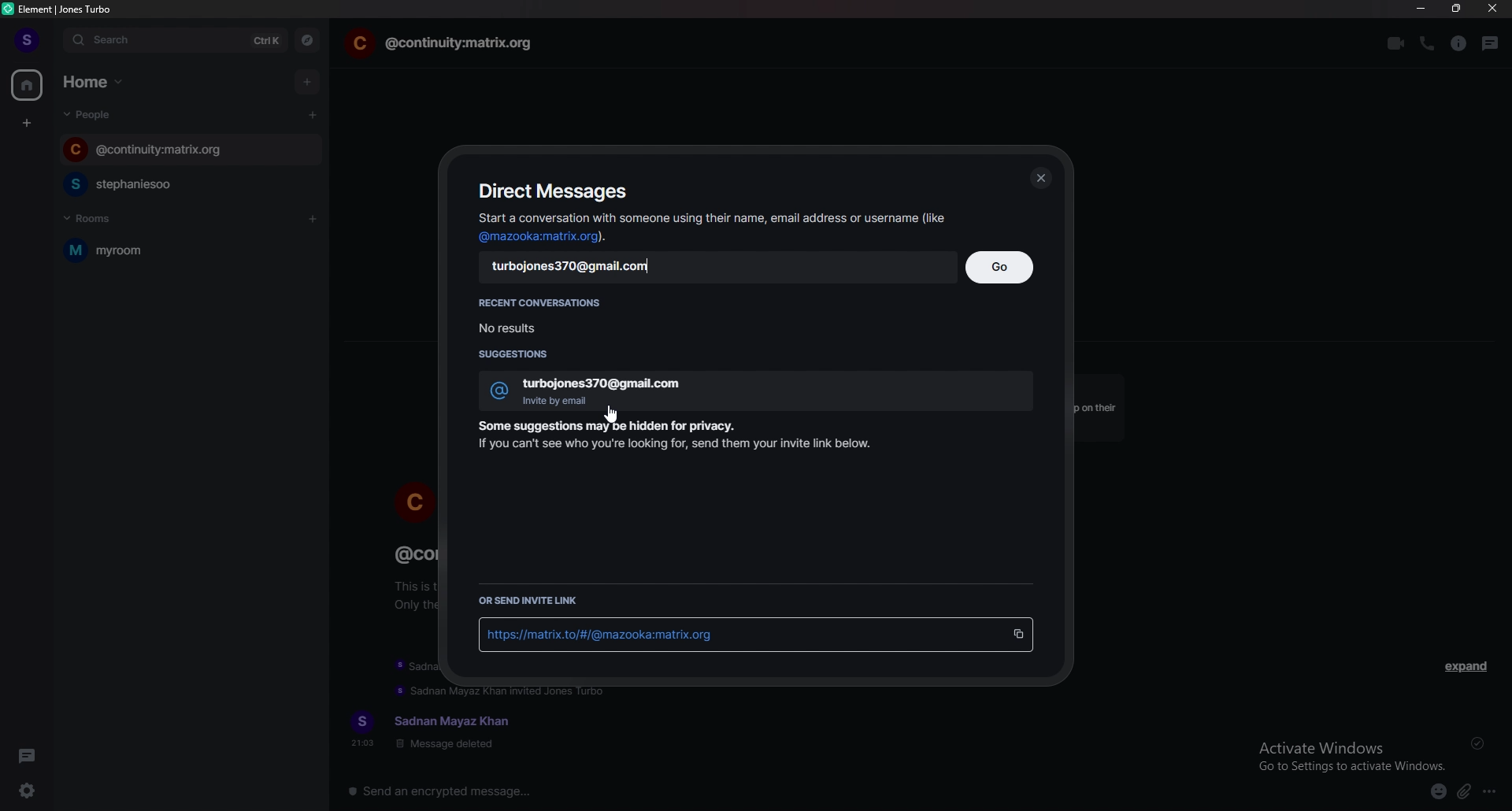 This screenshot has height=811, width=1512. What do you see at coordinates (174, 149) in the screenshot?
I see `chat` at bounding box center [174, 149].